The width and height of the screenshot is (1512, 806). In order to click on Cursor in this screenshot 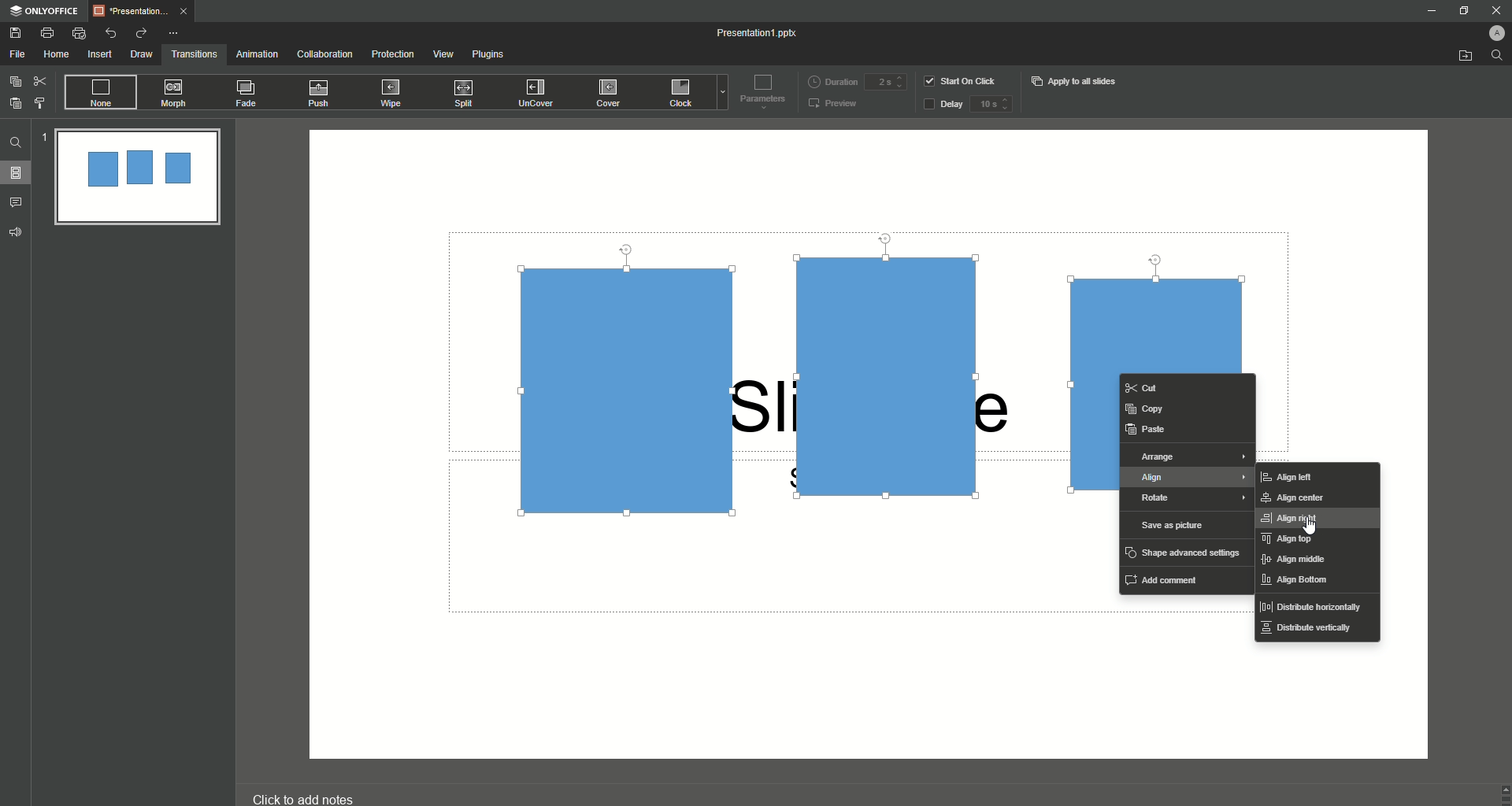, I will do `click(1312, 527)`.